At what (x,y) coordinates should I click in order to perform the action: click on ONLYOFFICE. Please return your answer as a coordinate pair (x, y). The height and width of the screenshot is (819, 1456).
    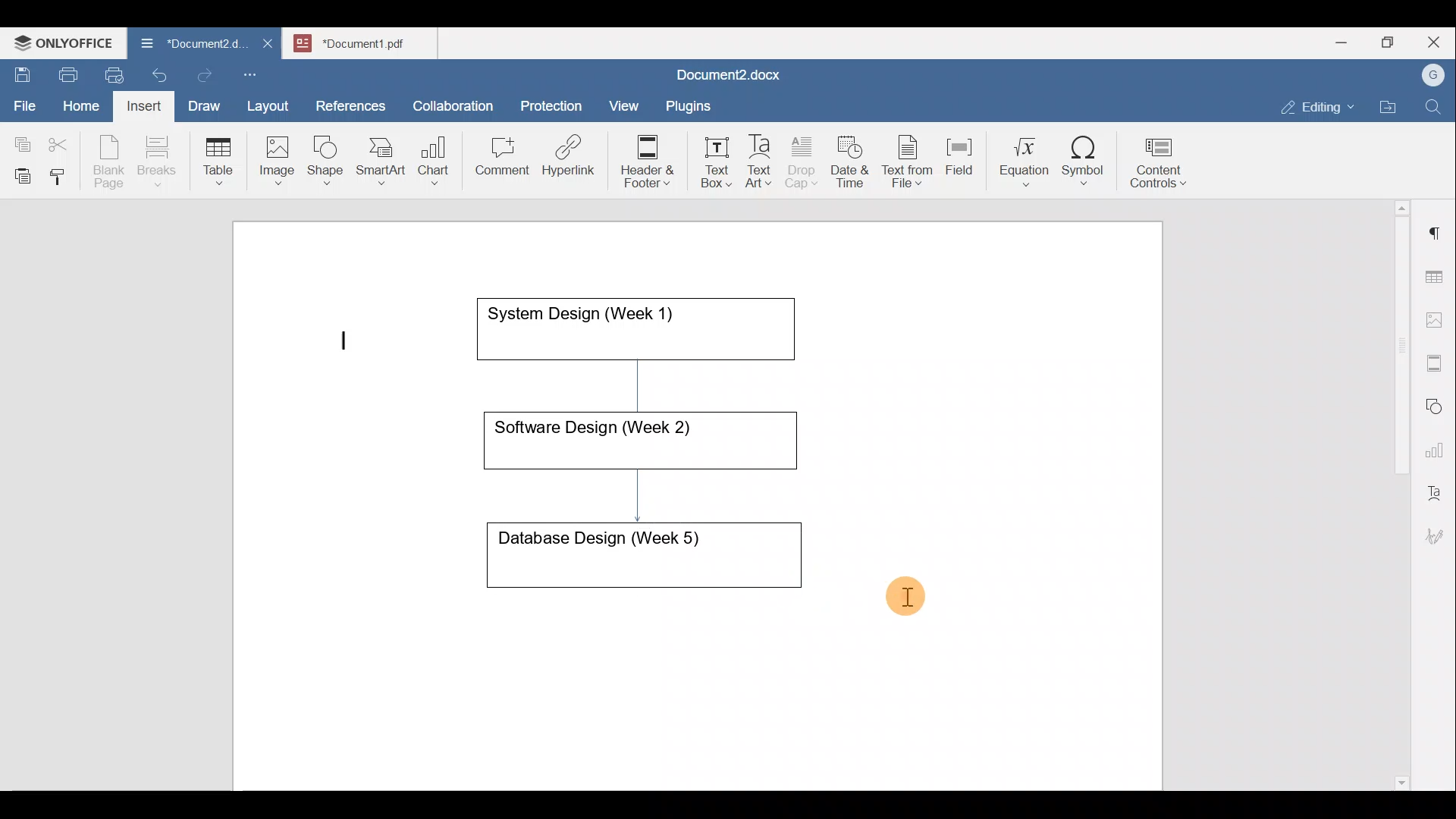
    Looking at the image, I should click on (64, 42).